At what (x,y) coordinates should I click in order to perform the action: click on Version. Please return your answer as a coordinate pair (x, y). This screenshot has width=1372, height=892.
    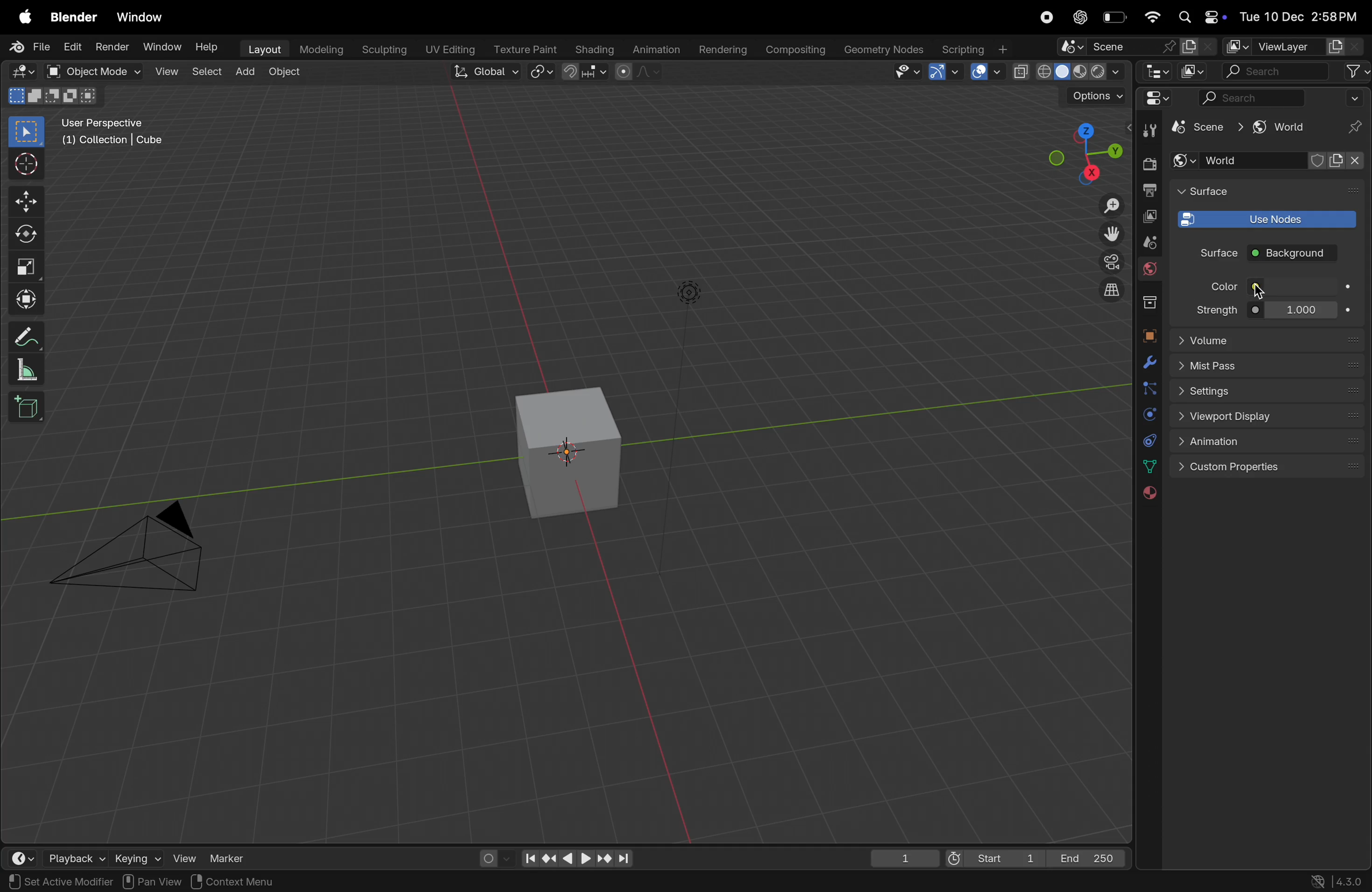
    Looking at the image, I should click on (1339, 880).